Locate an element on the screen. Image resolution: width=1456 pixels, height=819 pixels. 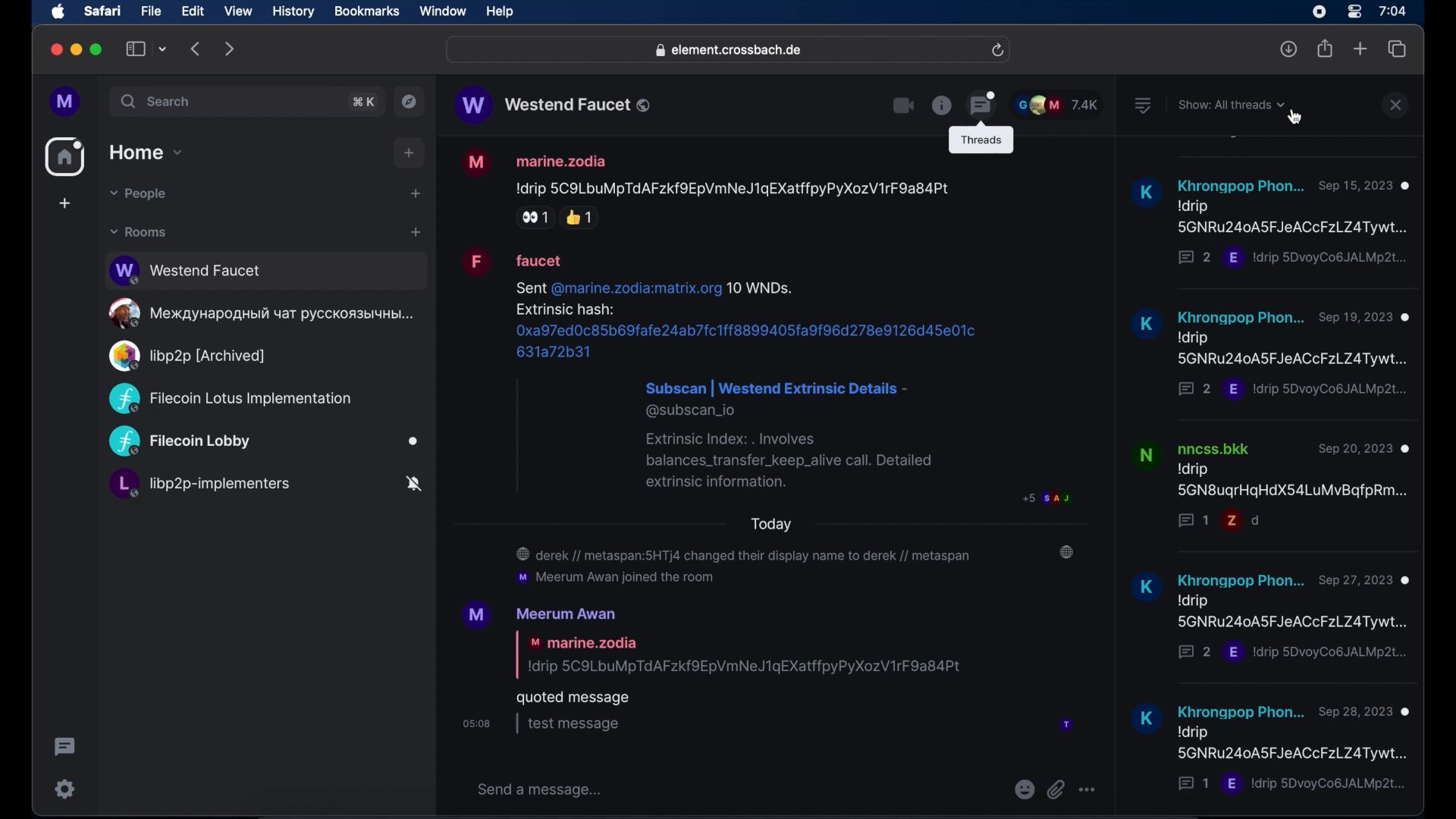
control center is located at coordinates (1355, 11).